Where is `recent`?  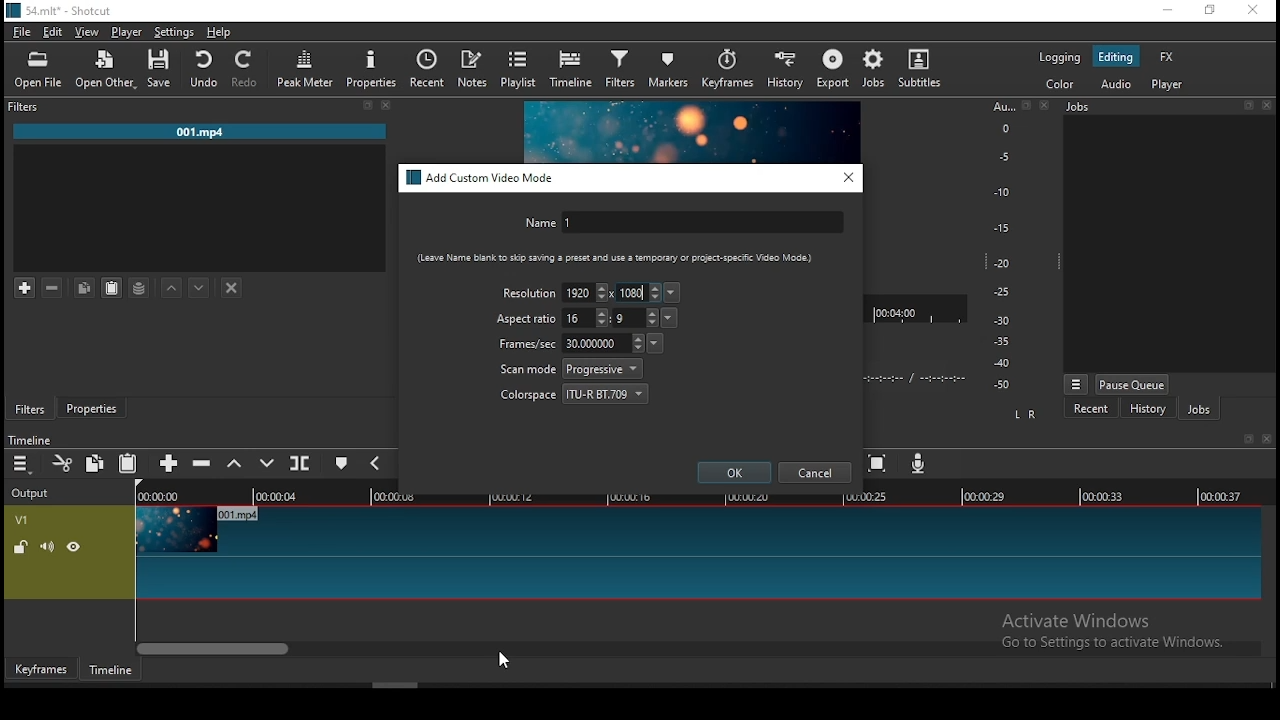
recent is located at coordinates (427, 66).